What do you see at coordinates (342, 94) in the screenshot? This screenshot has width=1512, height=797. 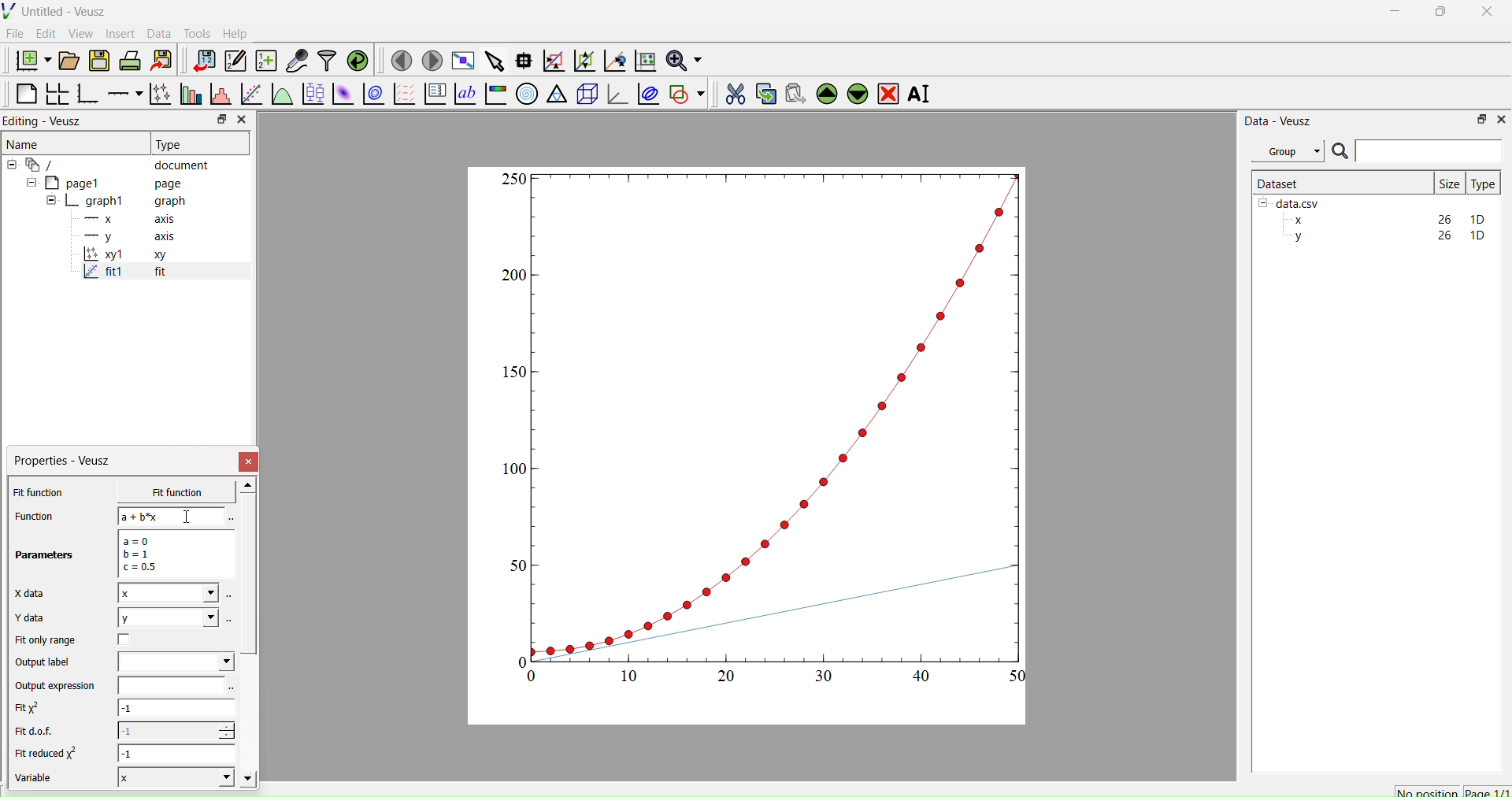 I see `Plot a 2d dataset as image` at bounding box center [342, 94].